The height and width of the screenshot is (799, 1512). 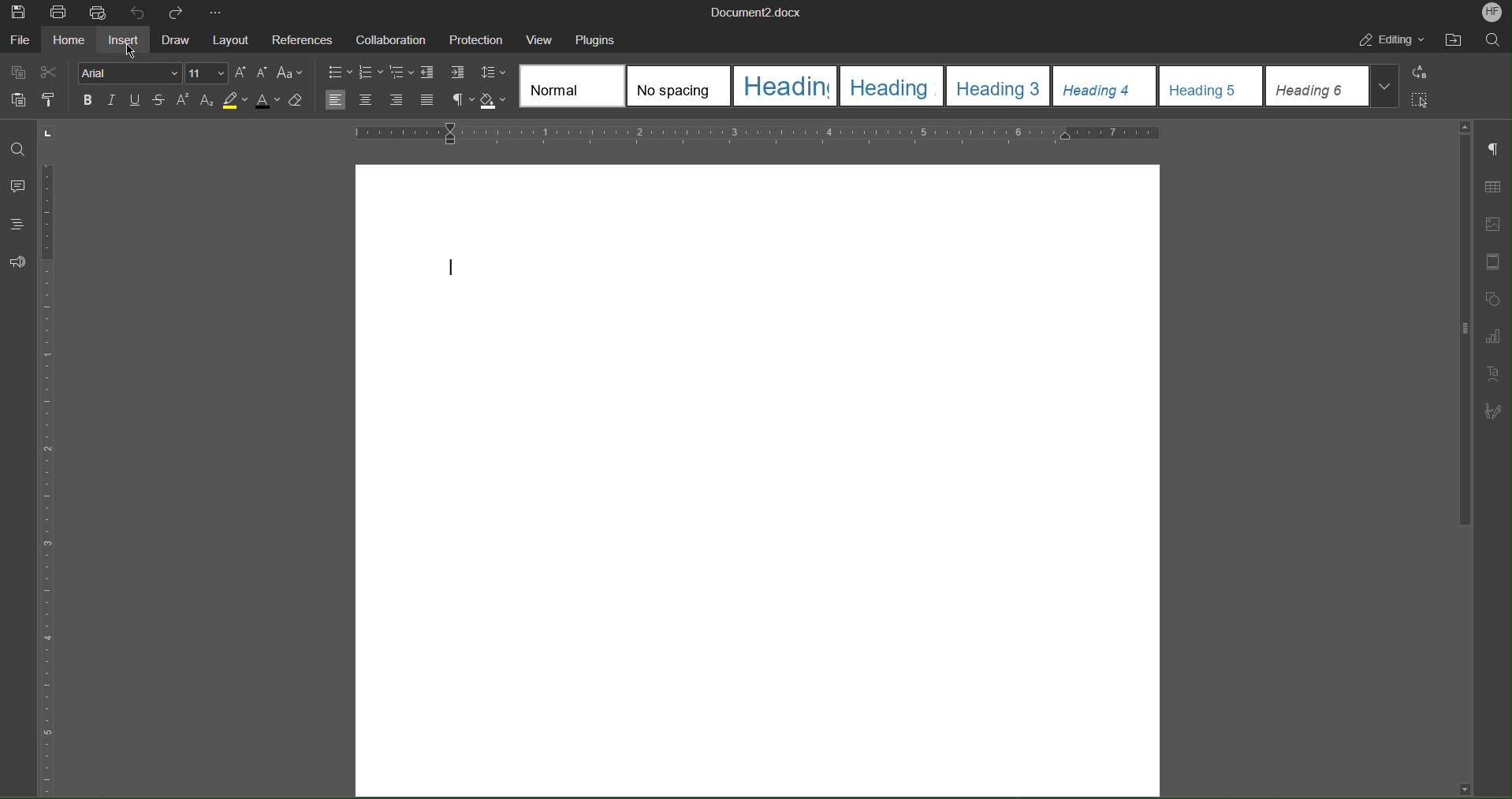 What do you see at coordinates (113, 101) in the screenshot?
I see `Italics` at bounding box center [113, 101].